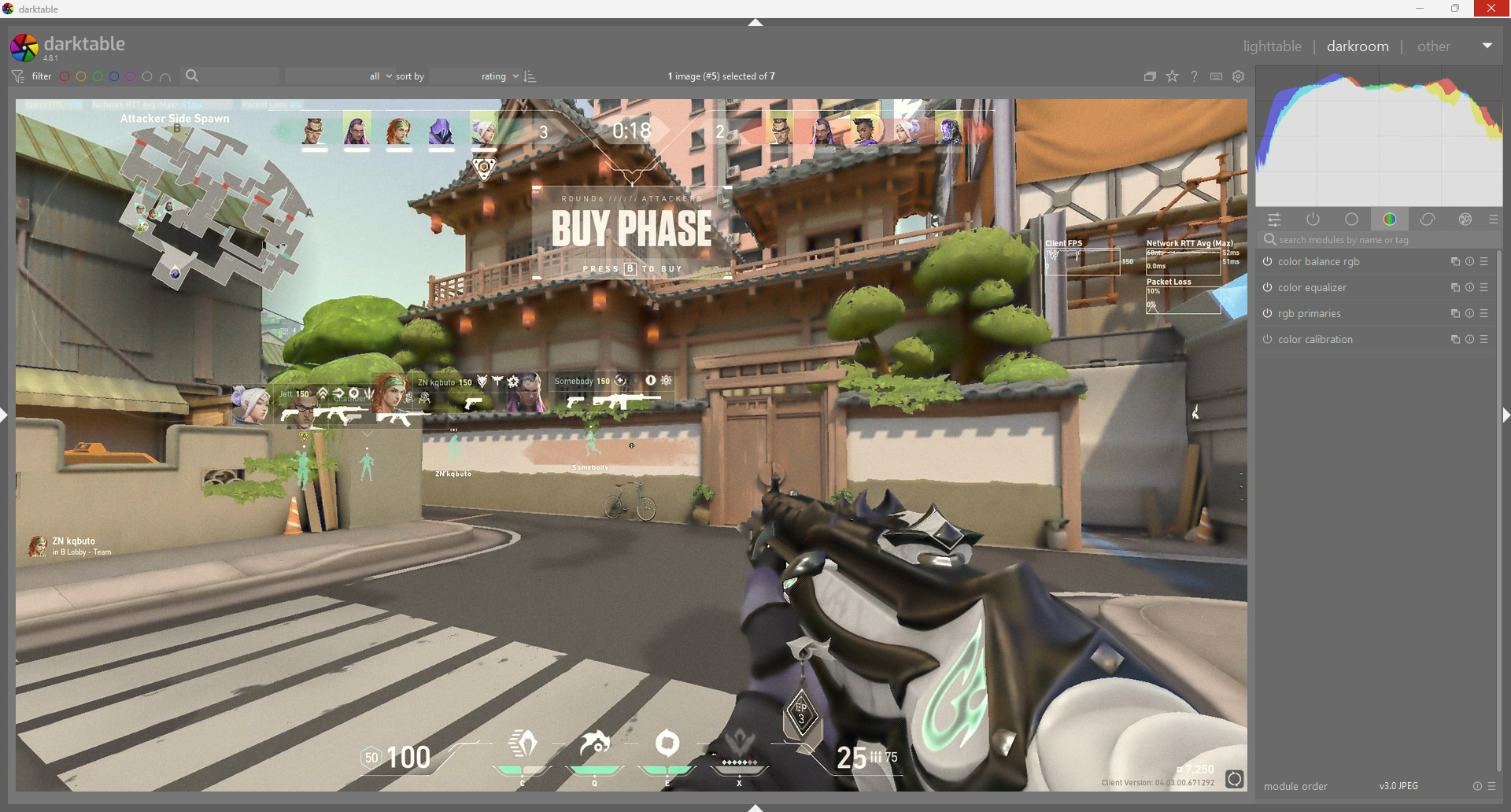 The height and width of the screenshot is (812, 1511). Describe the element at coordinates (459, 76) in the screenshot. I see `sort by` at that location.